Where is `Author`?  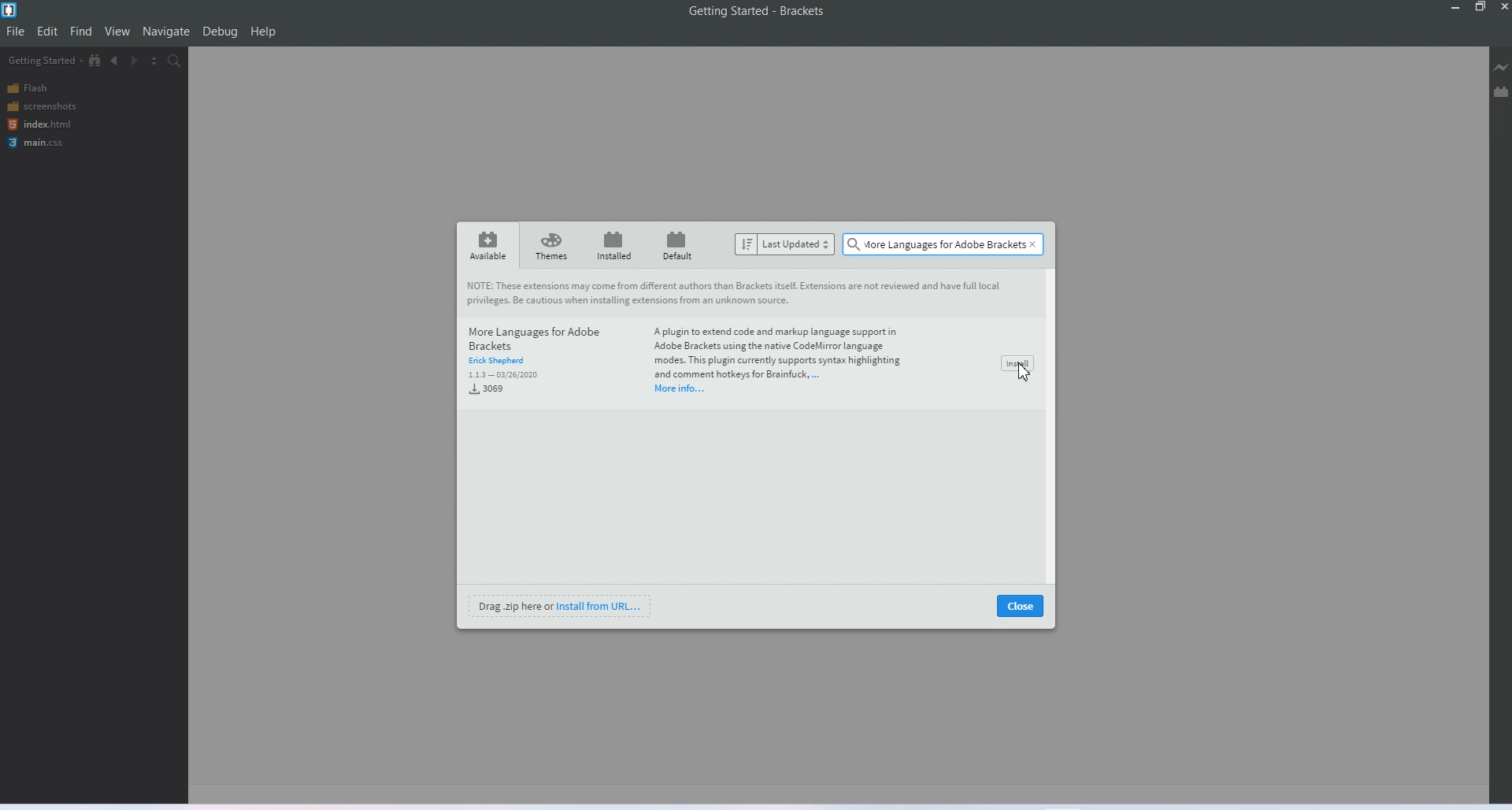 Author is located at coordinates (498, 362).